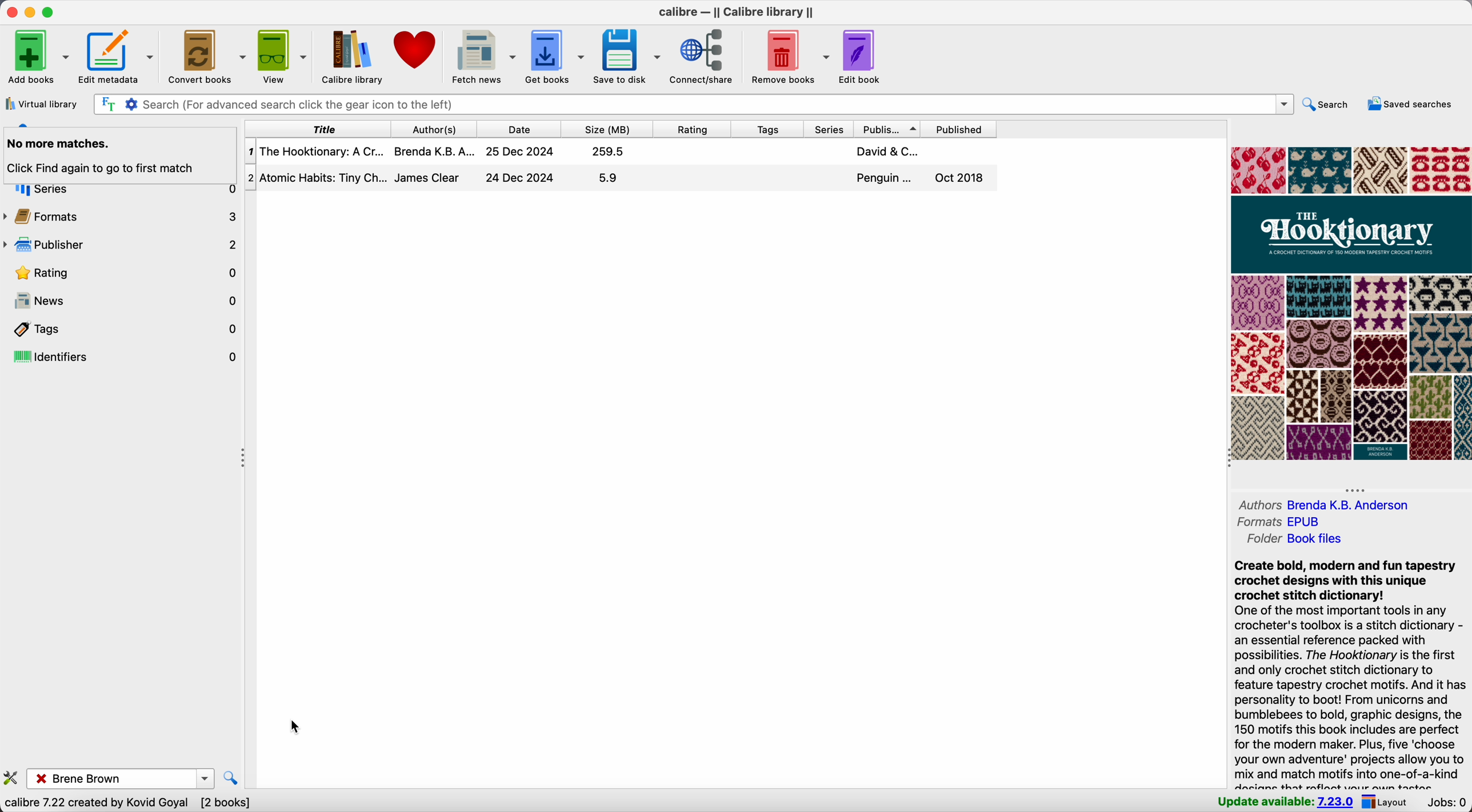 The image size is (1472, 812). What do you see at coordinates (318, 130) in the screenshot?
I see `title` at bounding box center [318, 130].